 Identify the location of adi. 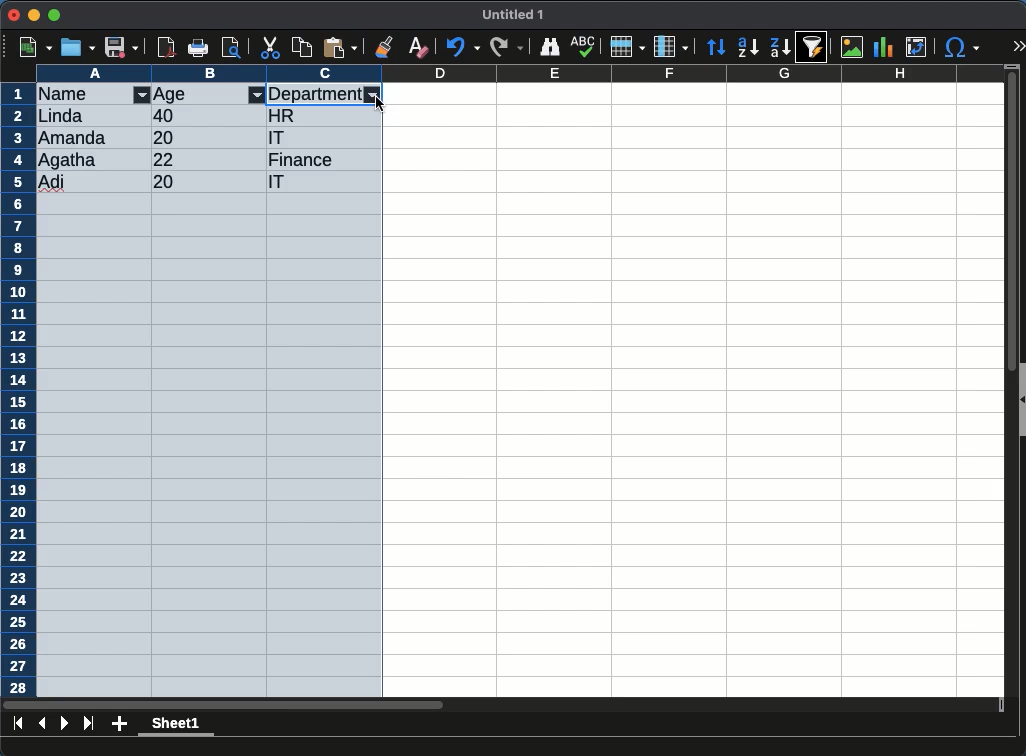
(53, 183).